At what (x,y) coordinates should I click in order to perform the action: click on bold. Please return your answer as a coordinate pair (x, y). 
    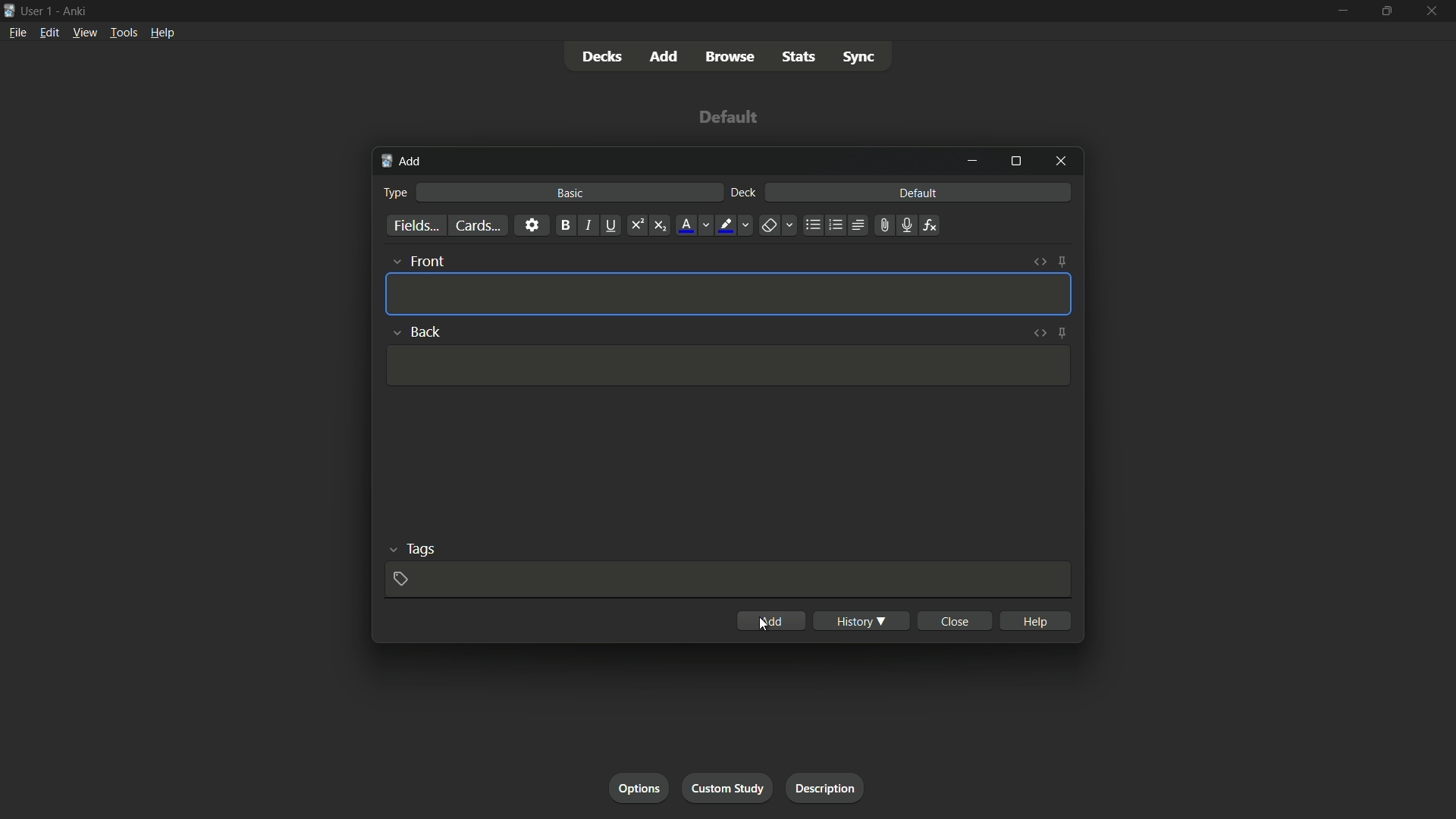
    Looking at the image, I should click on (564, 225).